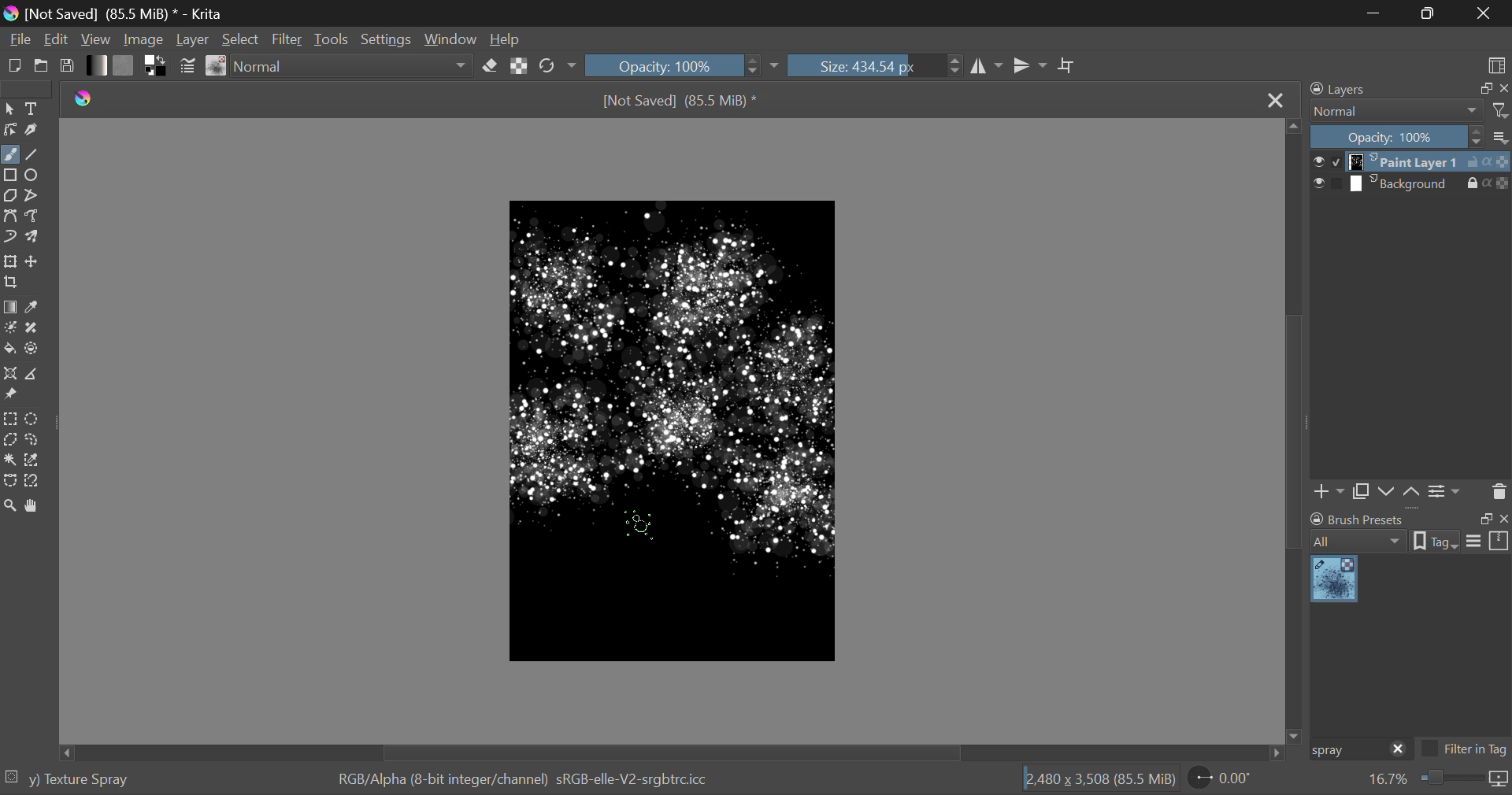  Describe the element at coordinates (217, 66) in the screenshot. I see `Brush Presets` at that location.